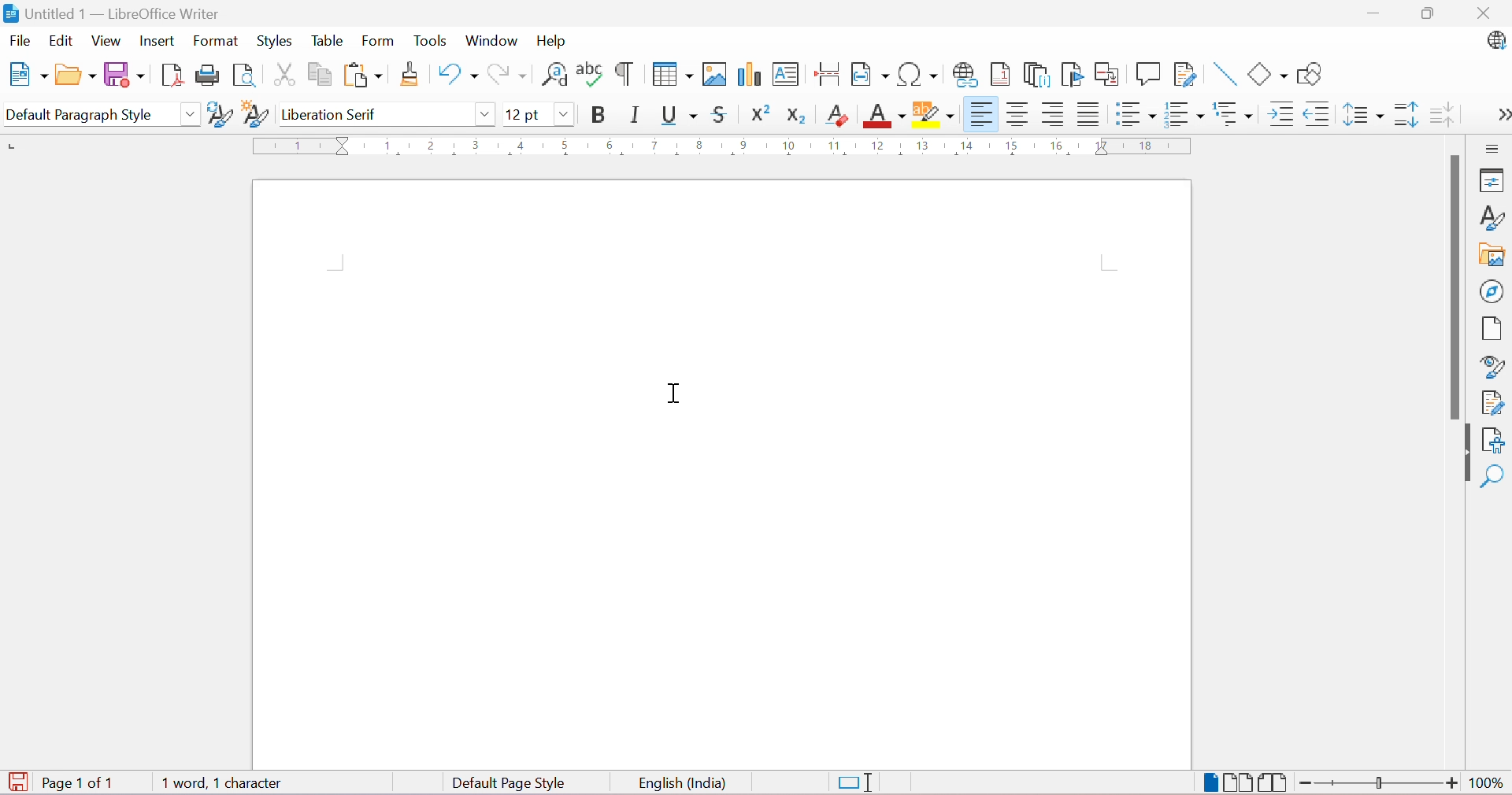 The image size is (1512, 795). What do you see at coordinates (1052, 115) in the screenshot?
I see `Align Right` at bounding box center [1052, 115].